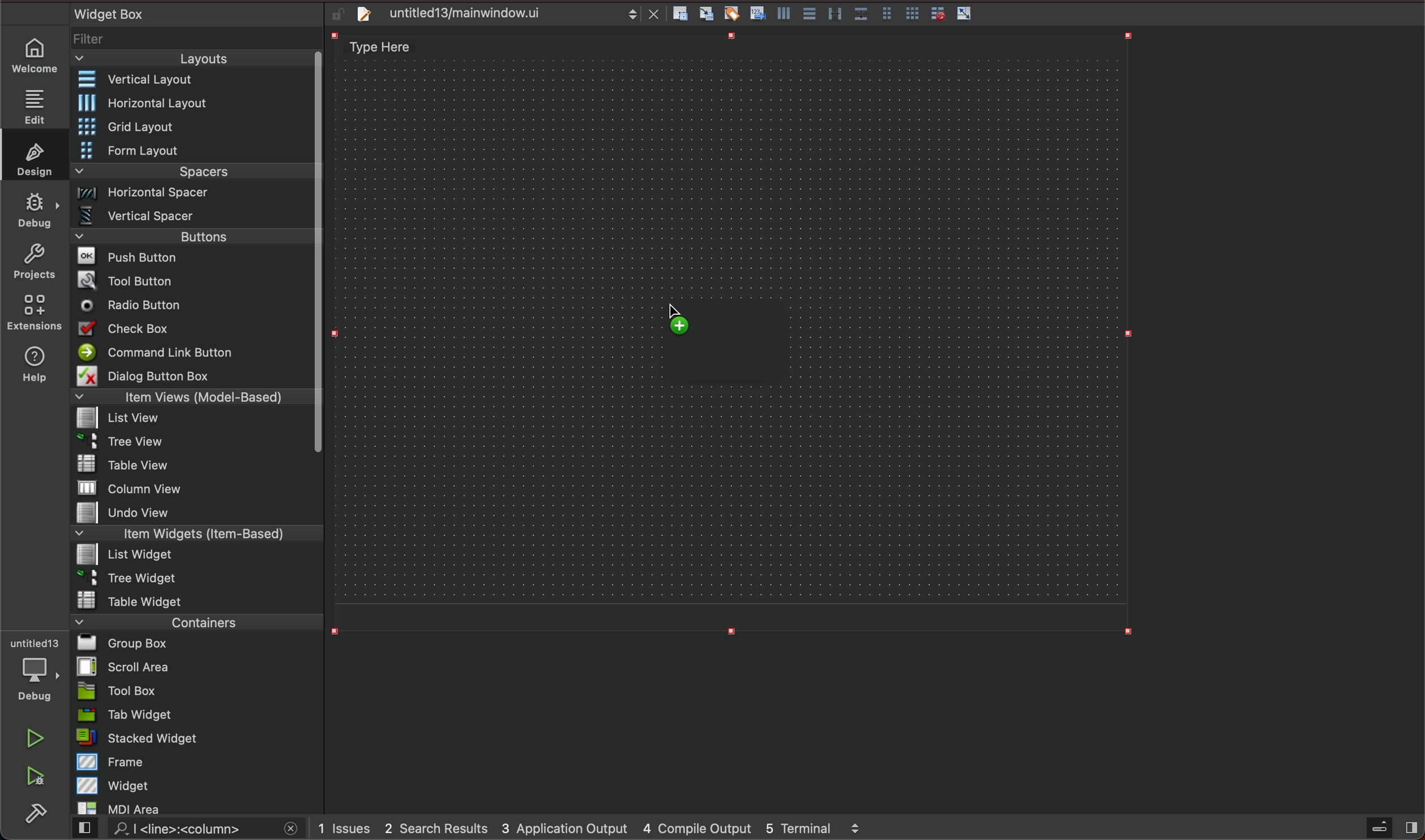  Describe the element at coordinates (40, 811) in the screenshot. I see `build` at that location.